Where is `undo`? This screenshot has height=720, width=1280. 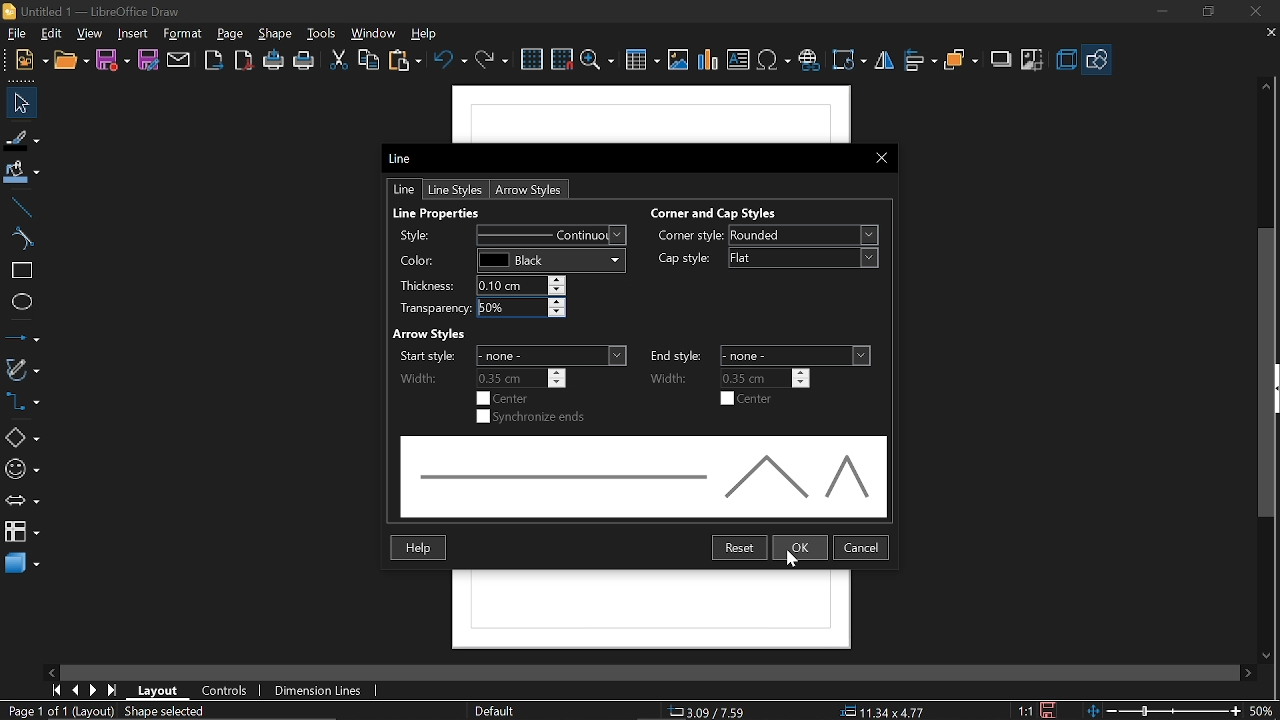 undo is located at coordinates (451, 63).